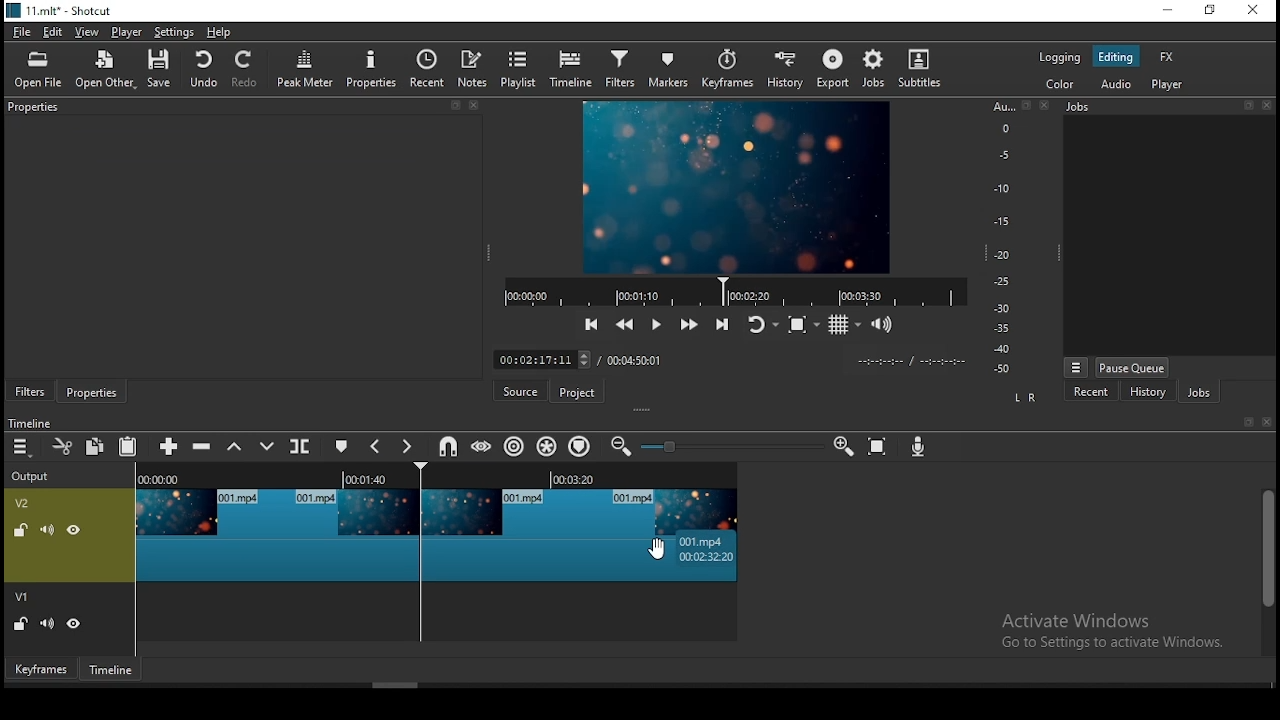 This screenshot has height=720, width=1280. Describe the element at coordinates (127, 449) in the screenshot. I see `paste` at that location.